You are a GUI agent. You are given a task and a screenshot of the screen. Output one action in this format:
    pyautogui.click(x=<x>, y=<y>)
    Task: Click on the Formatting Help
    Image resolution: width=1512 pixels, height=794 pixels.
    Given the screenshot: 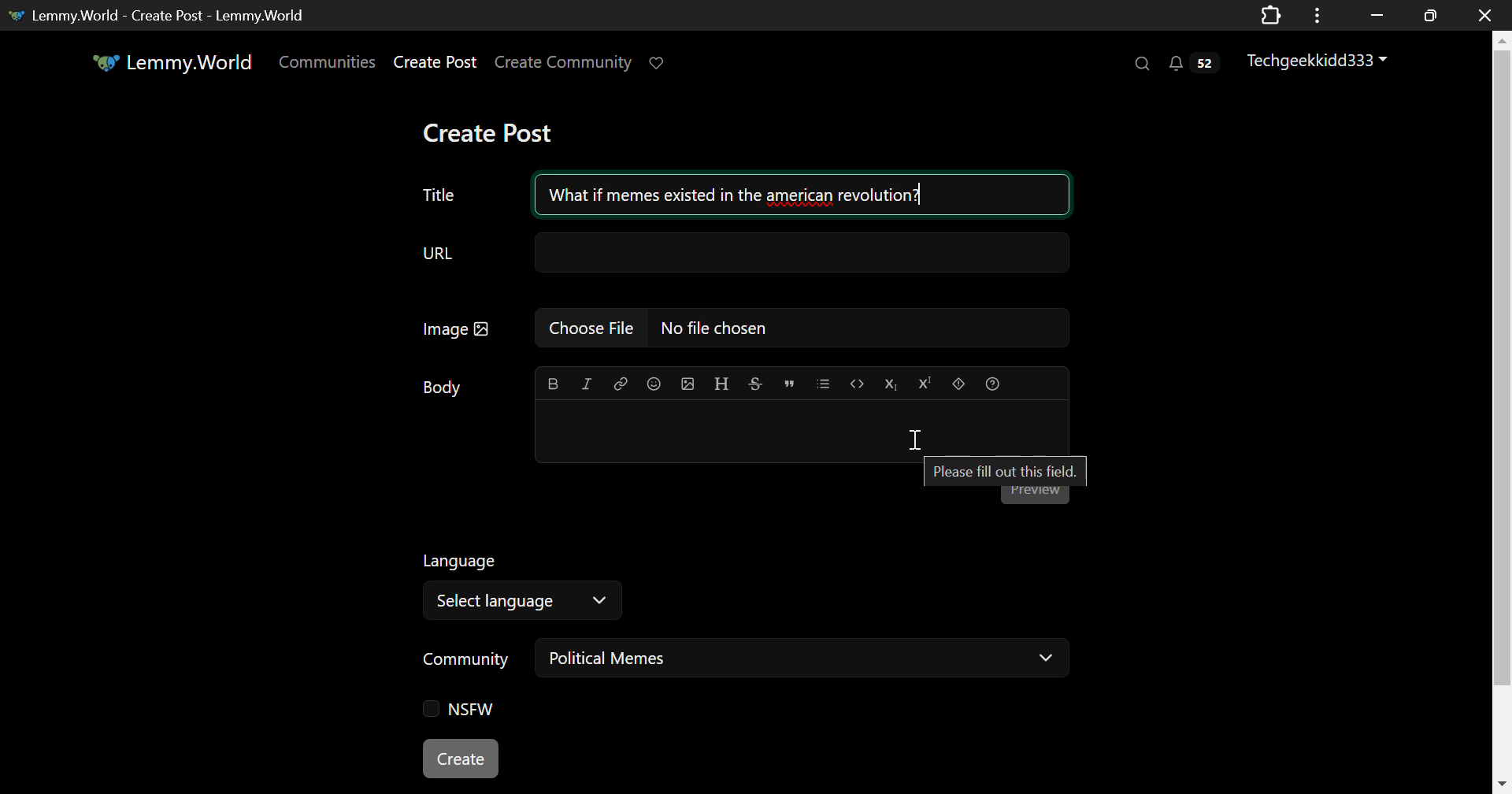 What is the action you would take?
    pyautogui.click(x=991, y=384)
    